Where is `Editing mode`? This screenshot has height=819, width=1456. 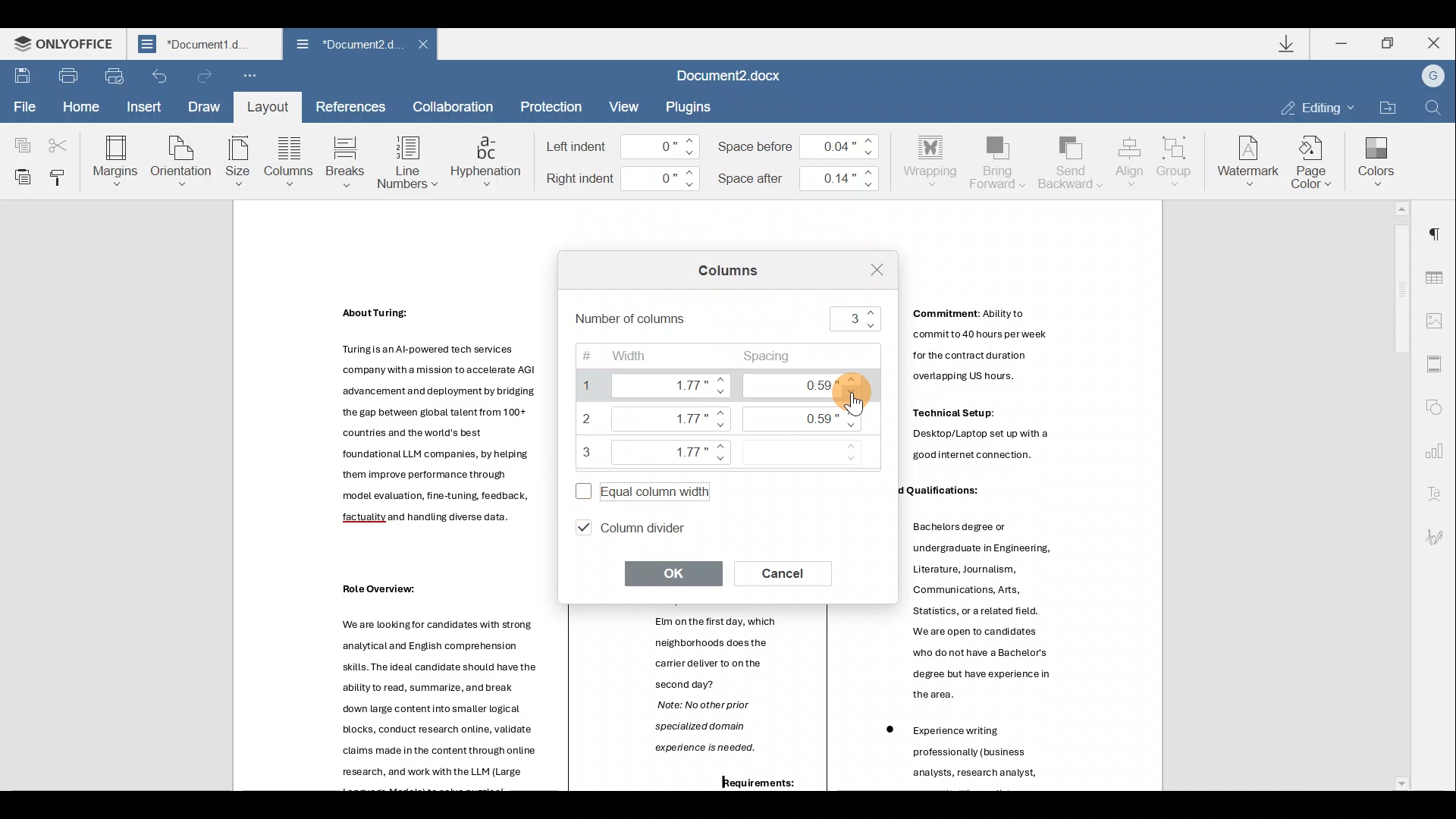
Editing mode is located at coordinates (1316, 106).